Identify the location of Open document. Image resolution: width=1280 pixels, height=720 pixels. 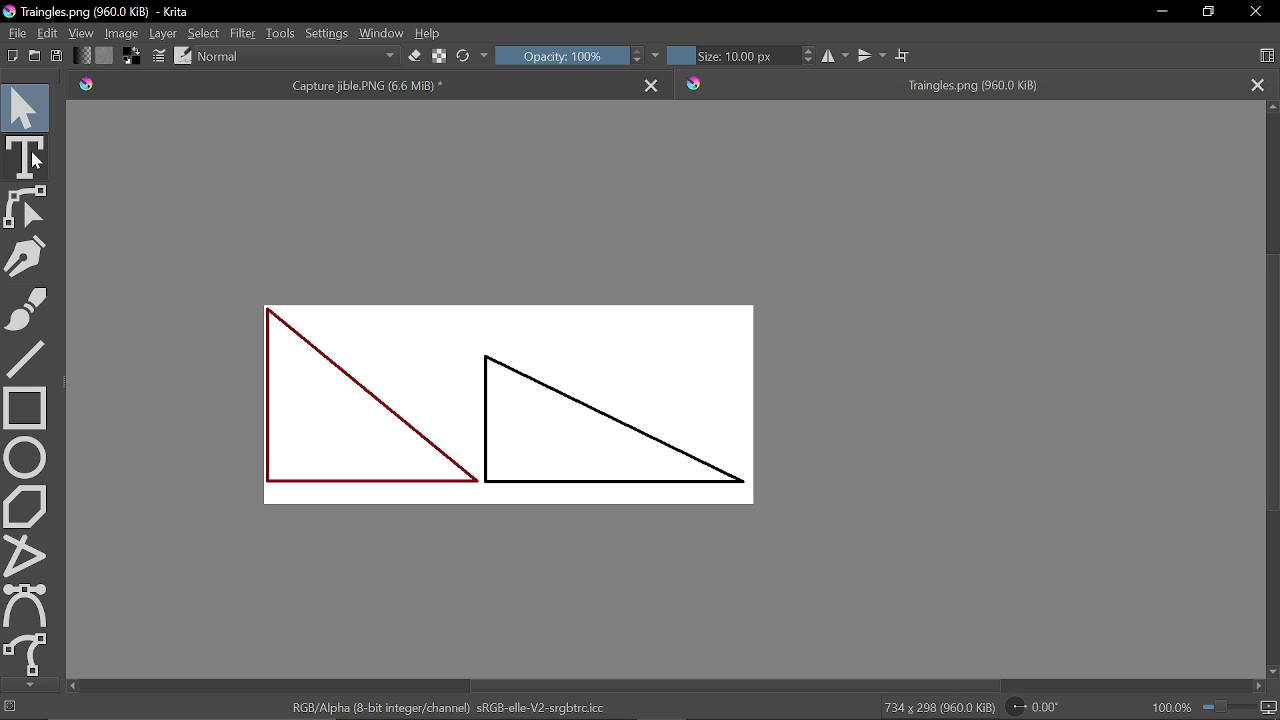
(34, 58).